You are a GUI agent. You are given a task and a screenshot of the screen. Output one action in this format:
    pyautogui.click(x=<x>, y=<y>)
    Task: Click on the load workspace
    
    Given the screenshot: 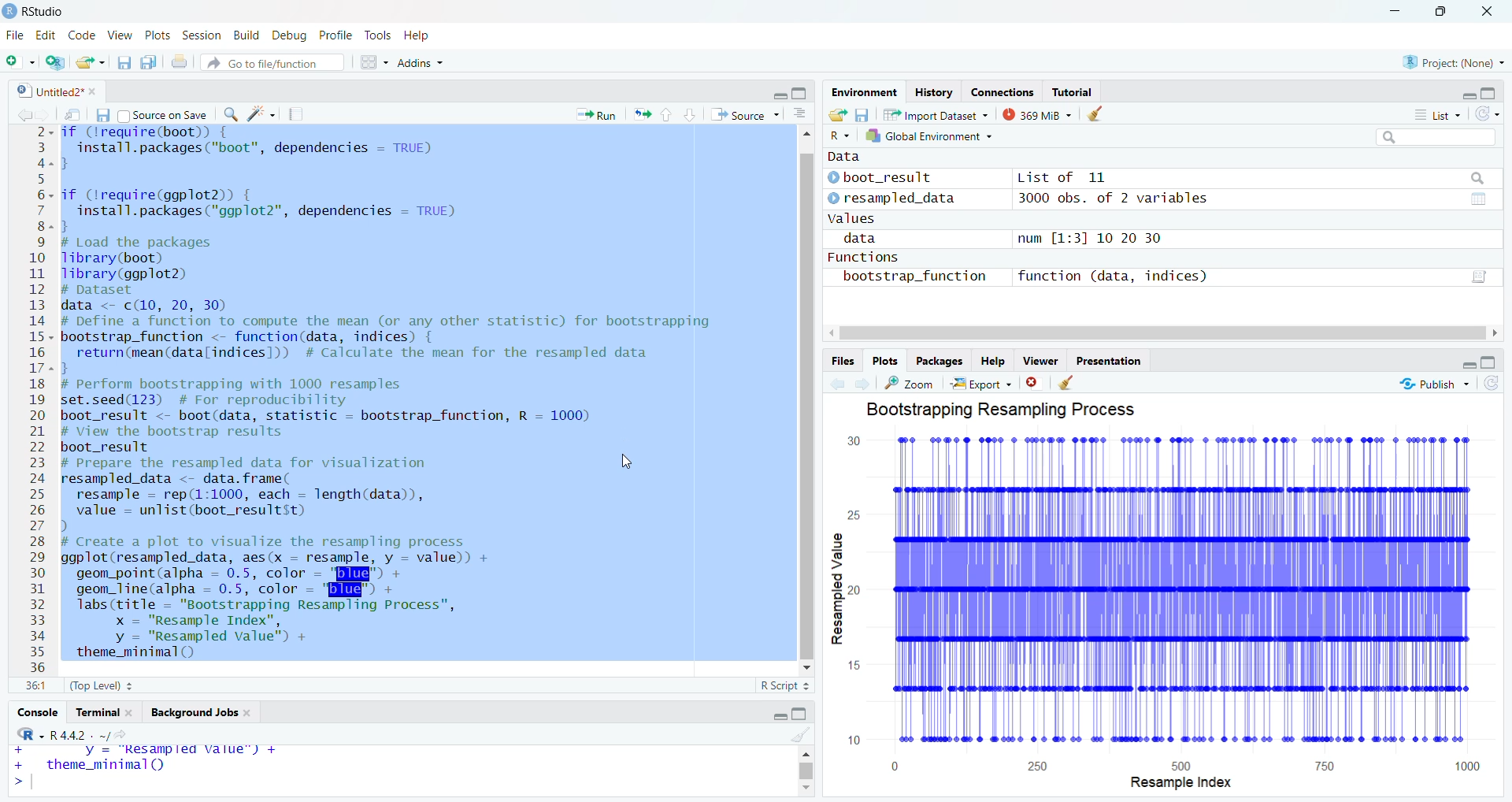 What is the action you would take?
    pyautogui.click(x=839, y=114)
    